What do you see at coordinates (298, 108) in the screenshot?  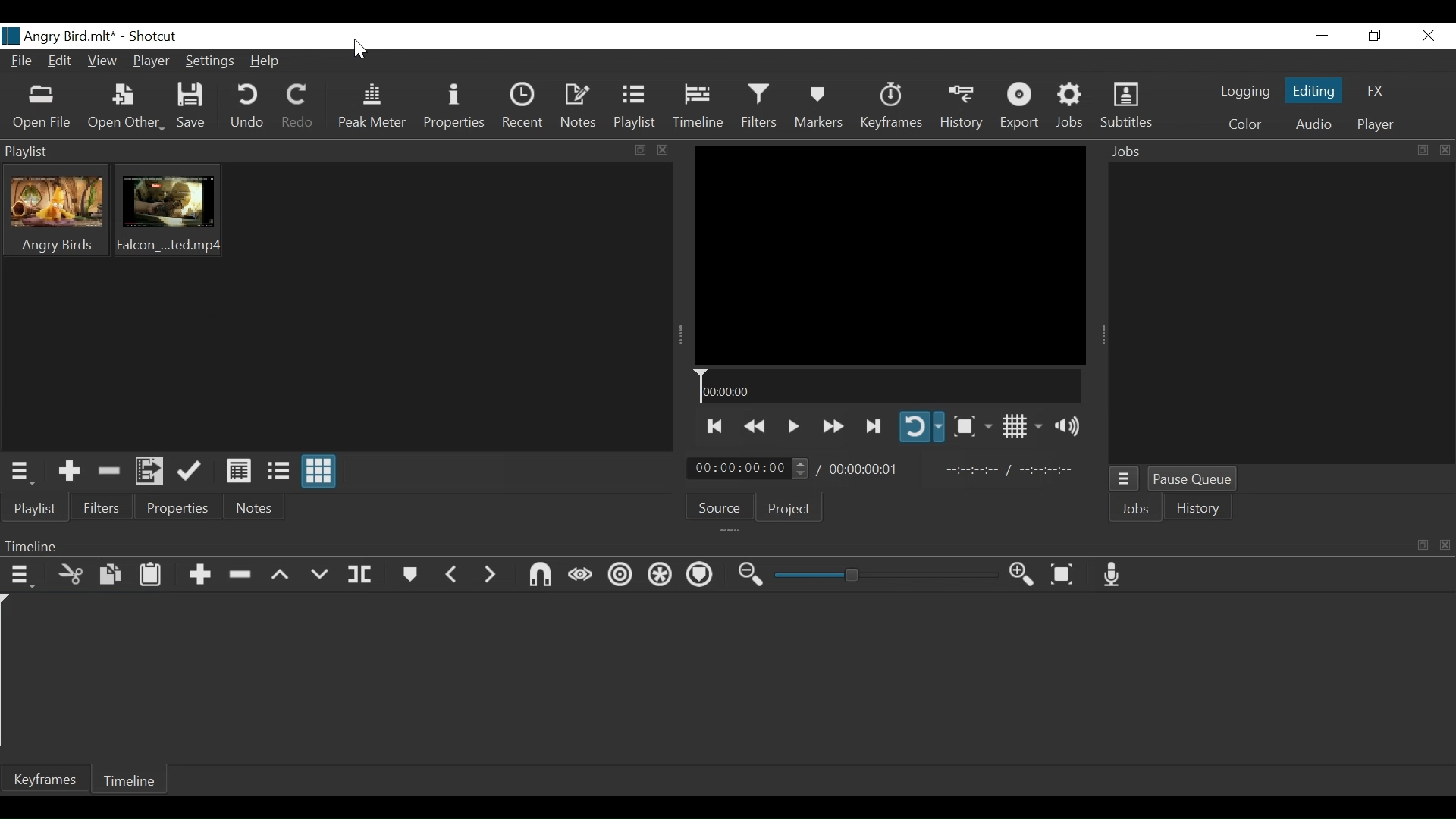 I see `Redo` at bounding box center [298, 108].